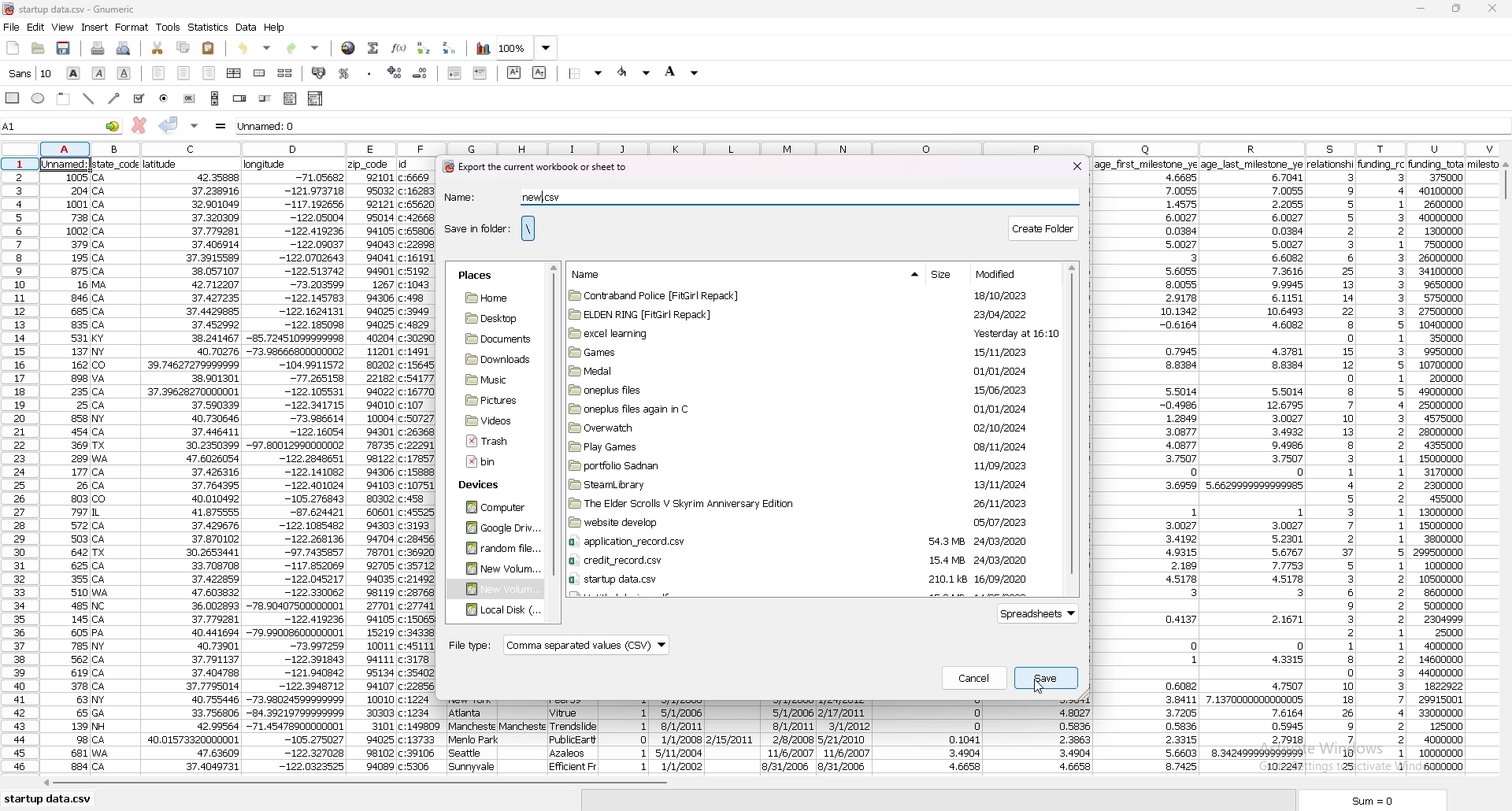 The height and width of the screenshot is (811, 1512). Describe the element at coordinates (63, 27) in the screenshot. I see `view` at that location.